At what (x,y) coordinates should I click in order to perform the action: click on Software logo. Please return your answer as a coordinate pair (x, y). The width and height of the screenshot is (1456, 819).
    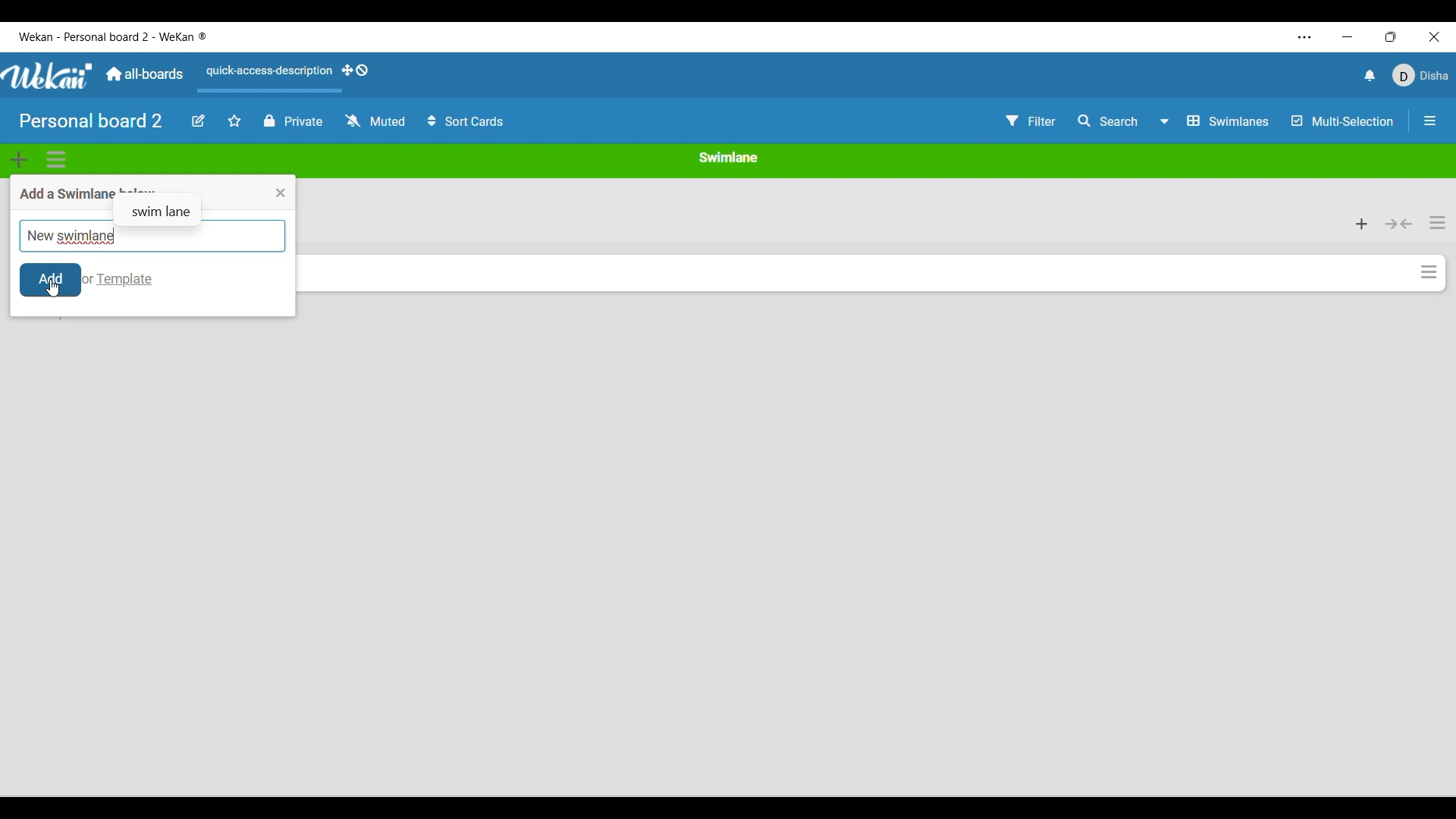
    Looking at the image, I should click on (49, 76).